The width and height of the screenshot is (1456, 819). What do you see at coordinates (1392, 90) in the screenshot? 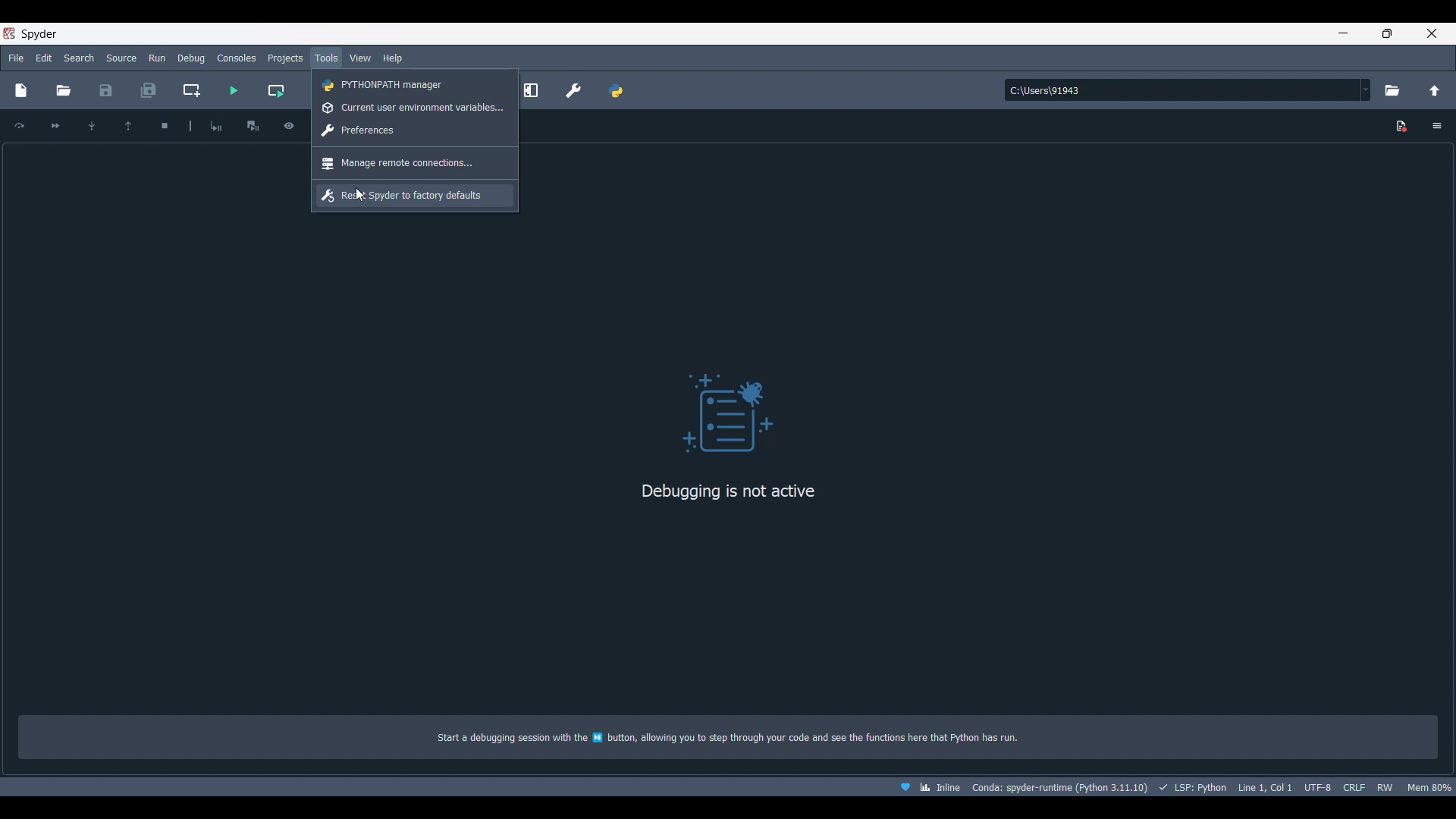
I see `Browse a working directory` at bounding box center [1392, 90].